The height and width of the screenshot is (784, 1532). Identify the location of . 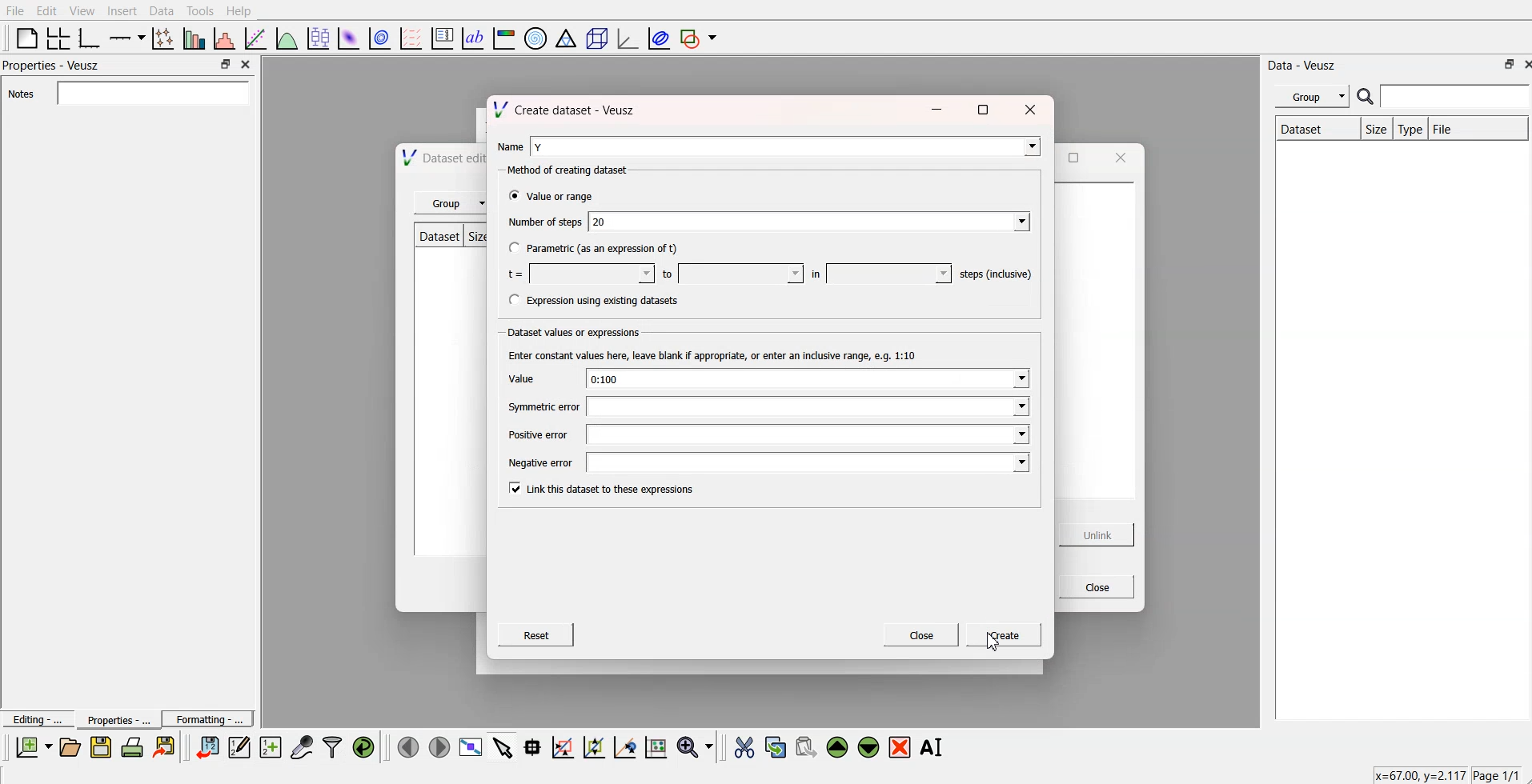
(1029, 107).